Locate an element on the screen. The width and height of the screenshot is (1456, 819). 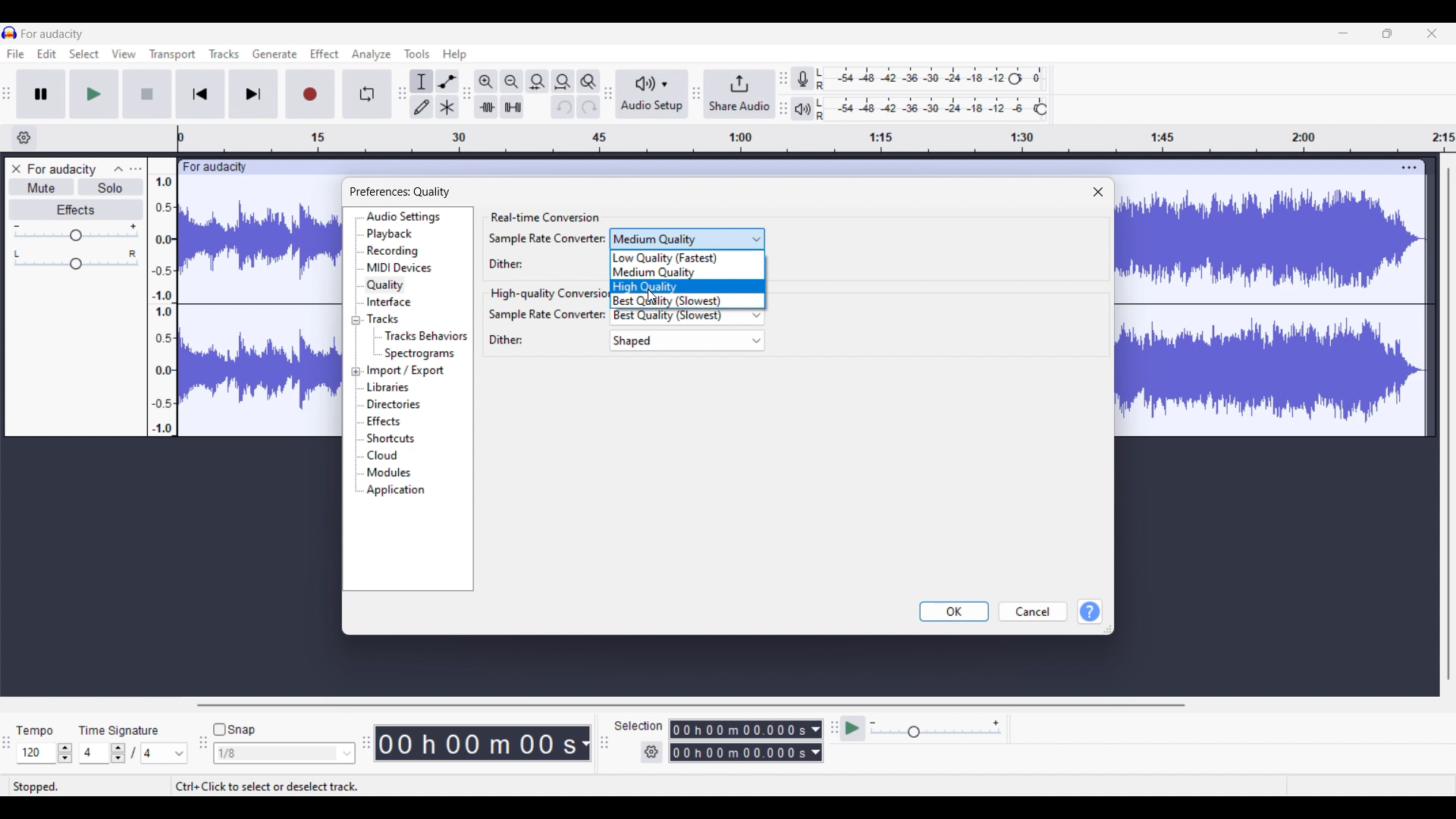
Section title is located at coordinates (544, 218).